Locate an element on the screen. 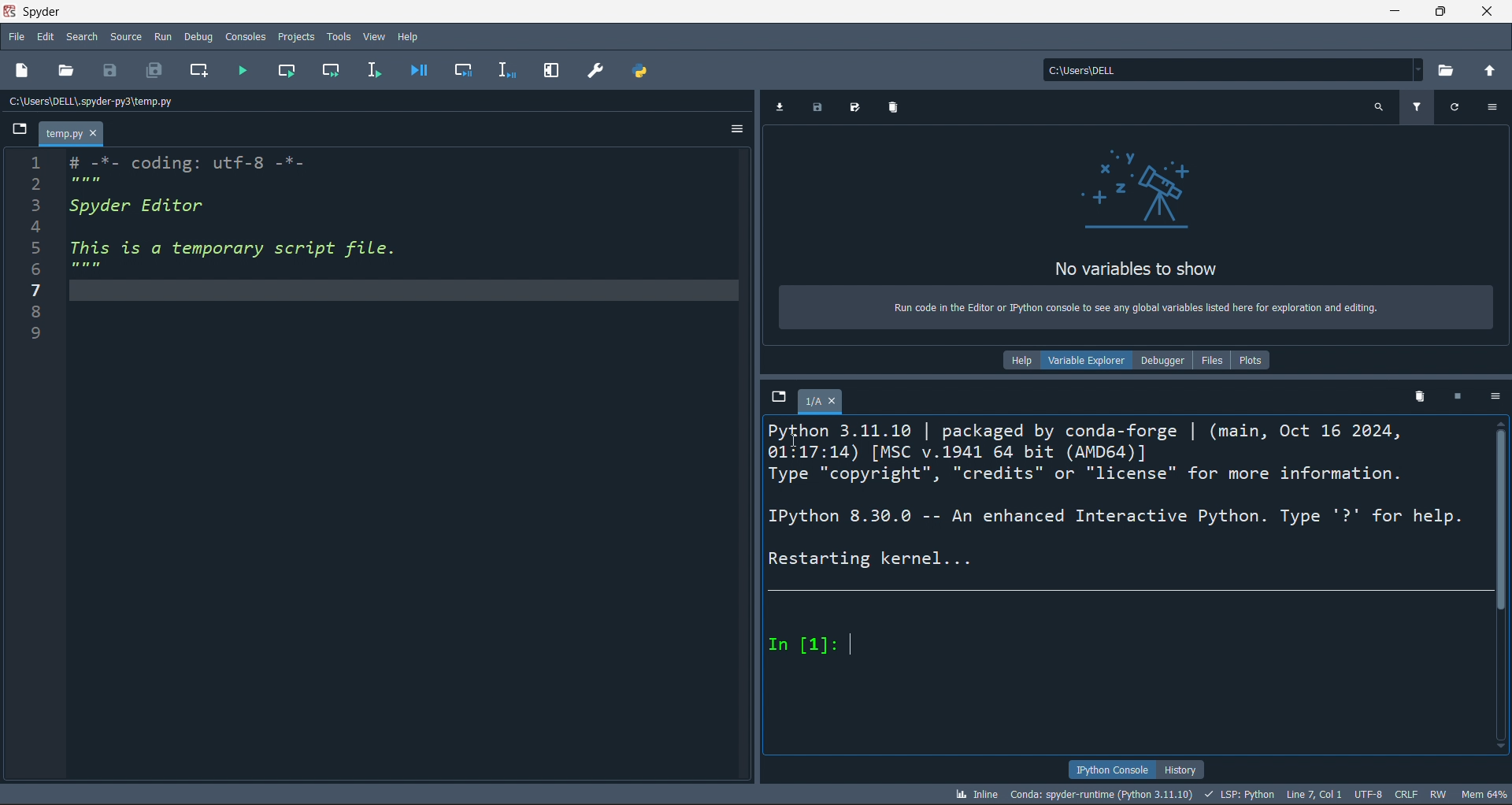 Image resolution: width=1512 pixels, height=805 pixels. Run code in the Editor or IPython console to see any global variables listed here for exploration and editing. is located at coordinates (1147, 306).